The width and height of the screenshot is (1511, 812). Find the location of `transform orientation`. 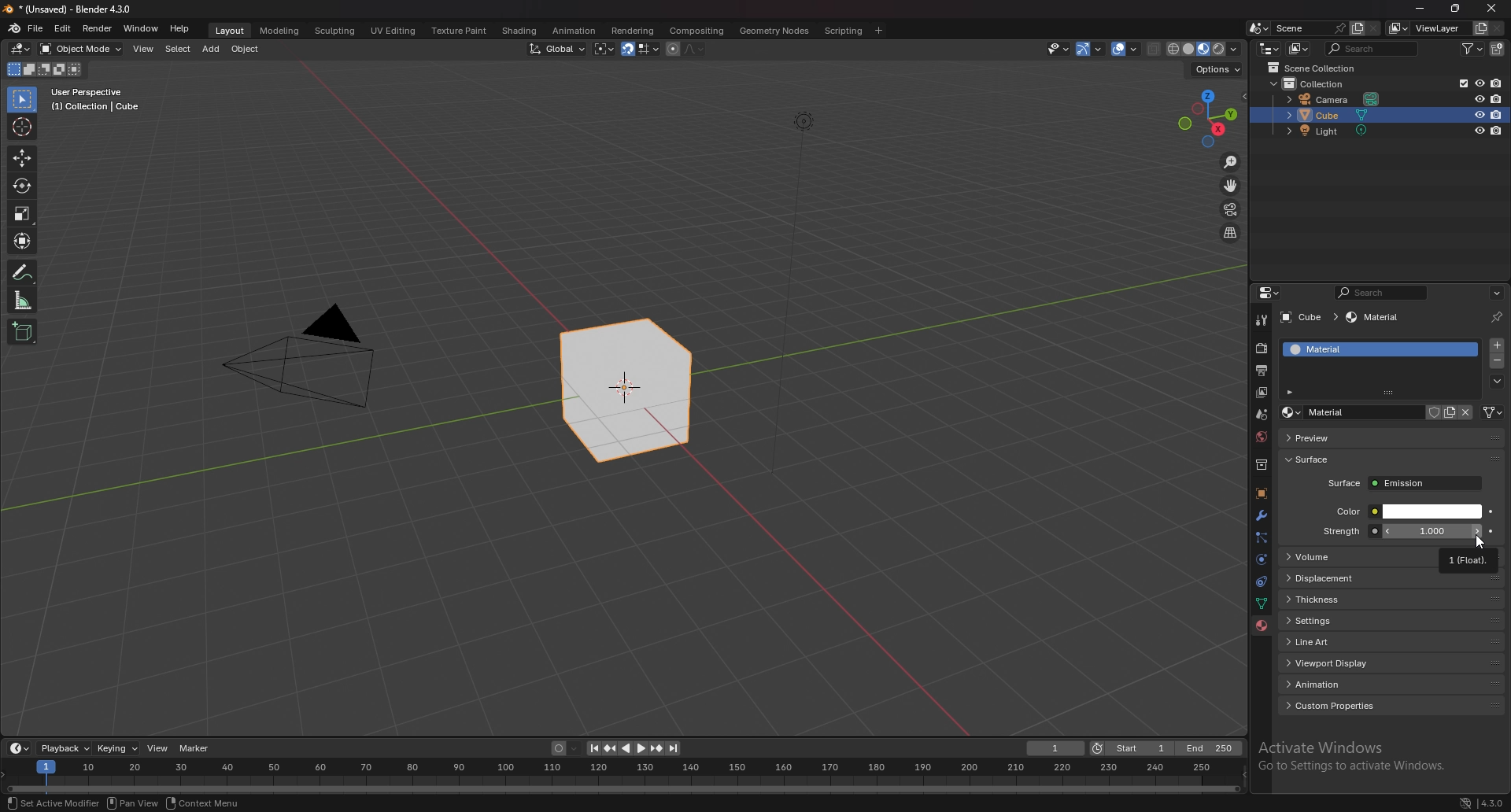

transform orientation is located at coordinates (557, 48).